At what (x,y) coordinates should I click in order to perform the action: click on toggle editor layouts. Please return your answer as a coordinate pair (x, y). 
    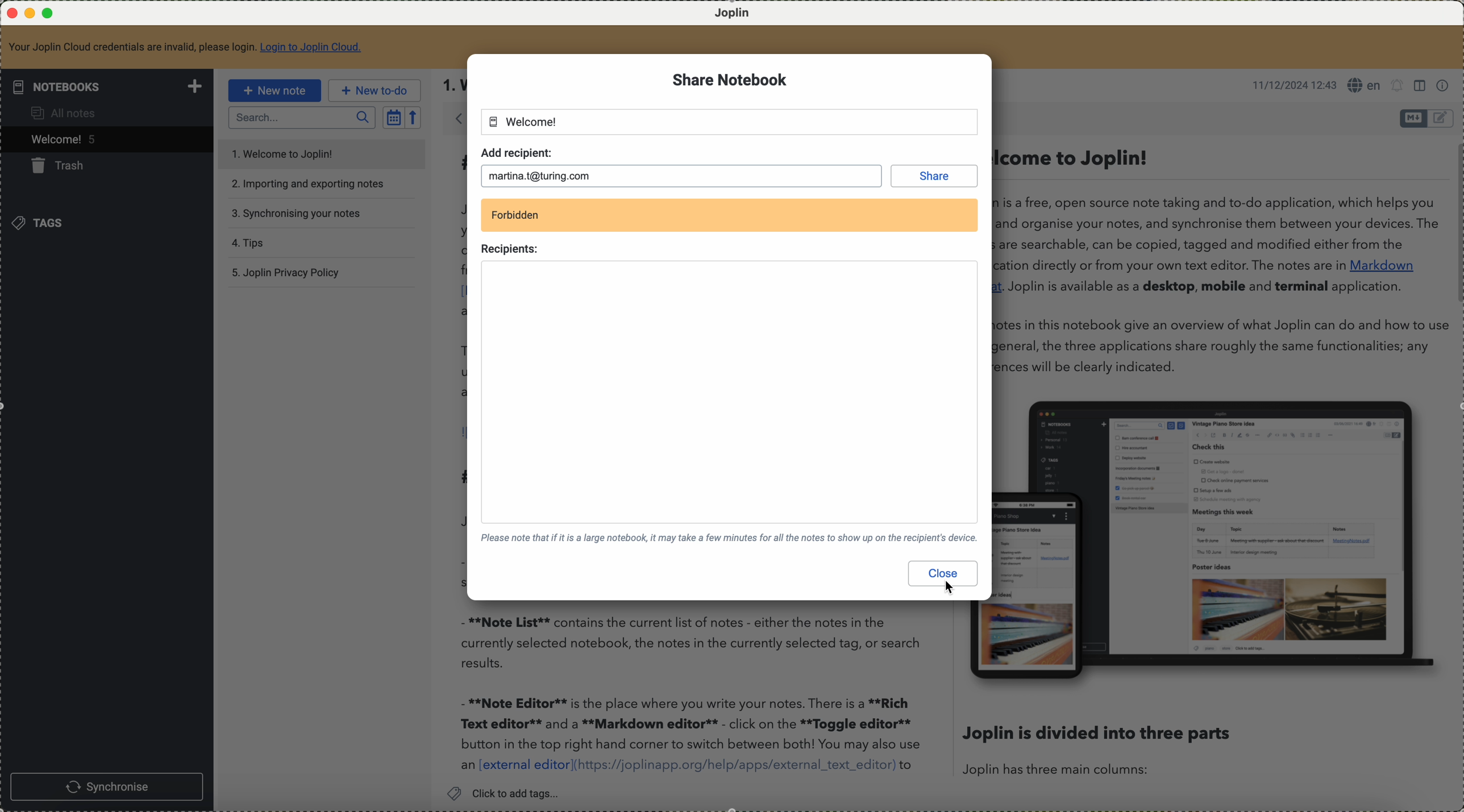
    Looking at the image, I should click on (1421, 86).